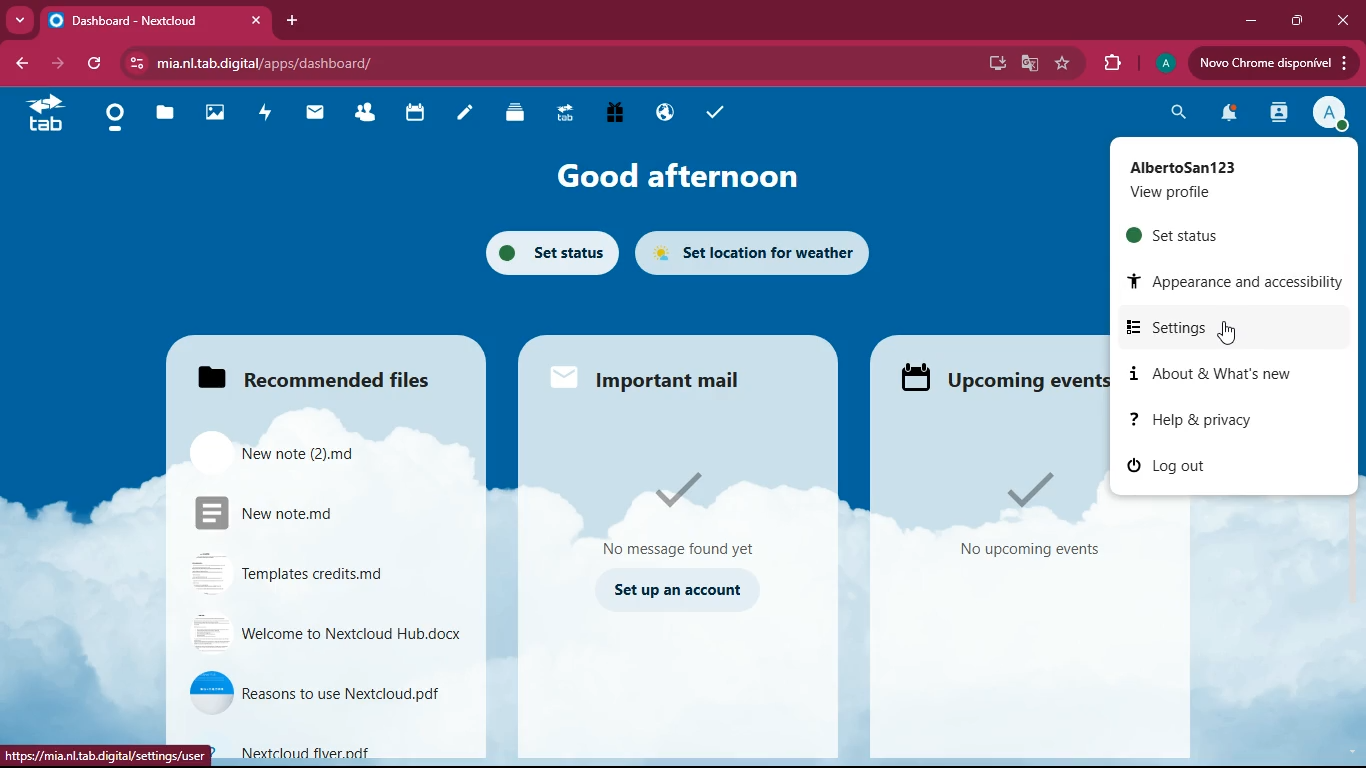 The image size is (1366, 768). What do you see at coordinates (677, 589) in the screenshot?
I see `set up an account` at bounding box center [677, 589].